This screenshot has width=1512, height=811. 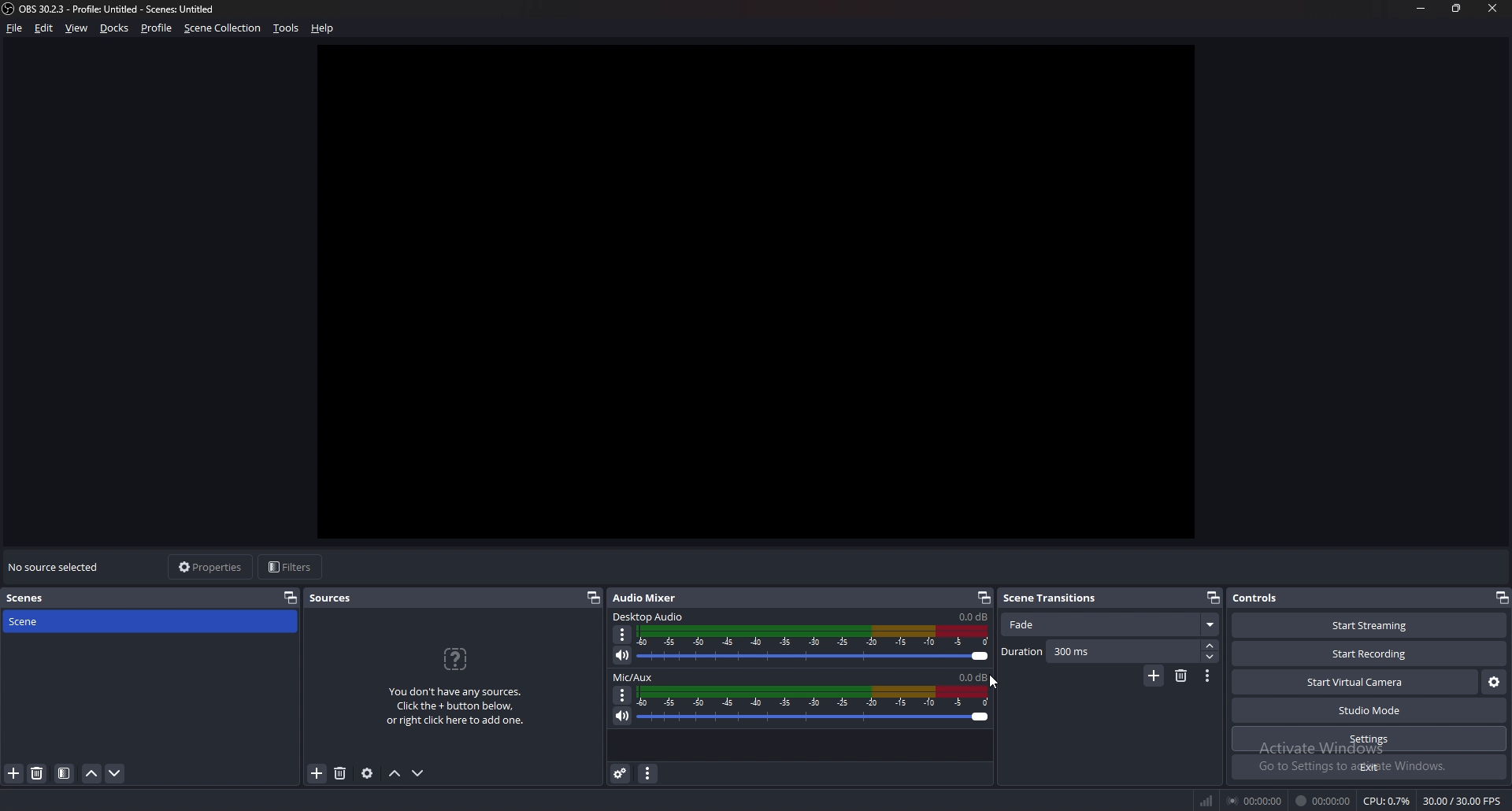 What do you see at coordinates (995, 683) in the screenshot?
I see `cursor` at bounding box center [995, 683].